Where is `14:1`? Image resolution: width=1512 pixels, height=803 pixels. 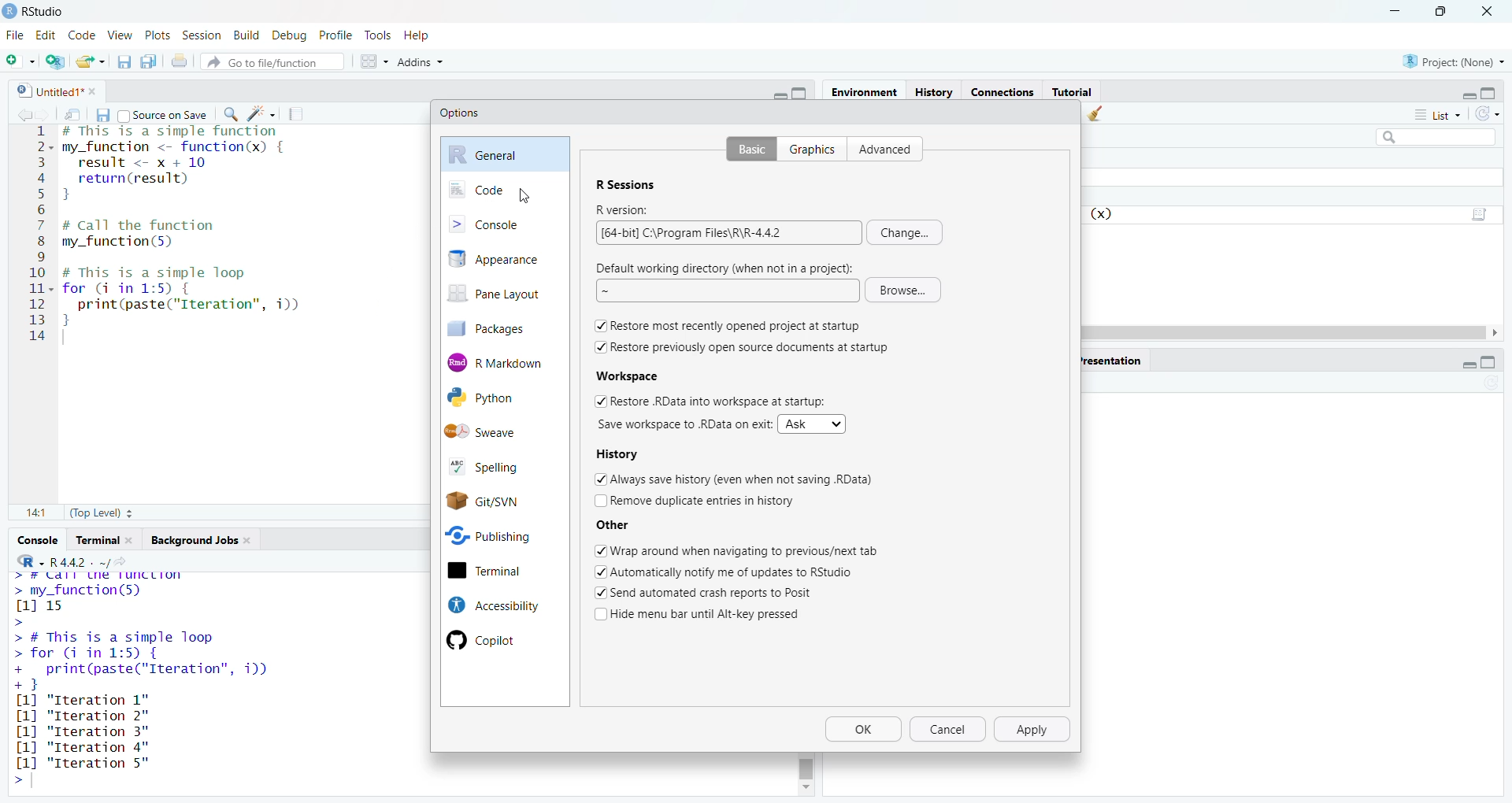 14:1 is located at coordinates (35, 514).